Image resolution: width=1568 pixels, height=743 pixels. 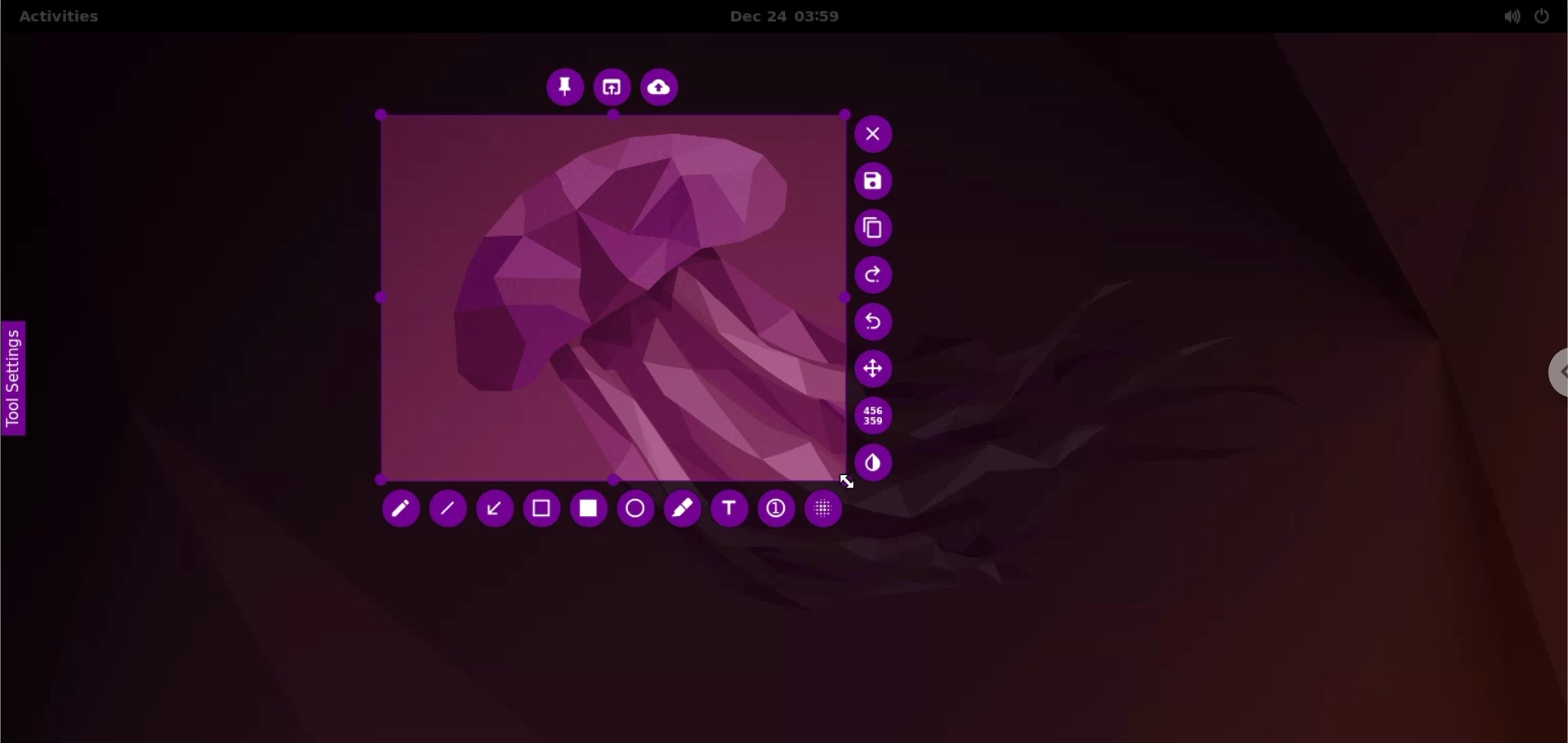 I want to click on line, so click(x=450, y=509).